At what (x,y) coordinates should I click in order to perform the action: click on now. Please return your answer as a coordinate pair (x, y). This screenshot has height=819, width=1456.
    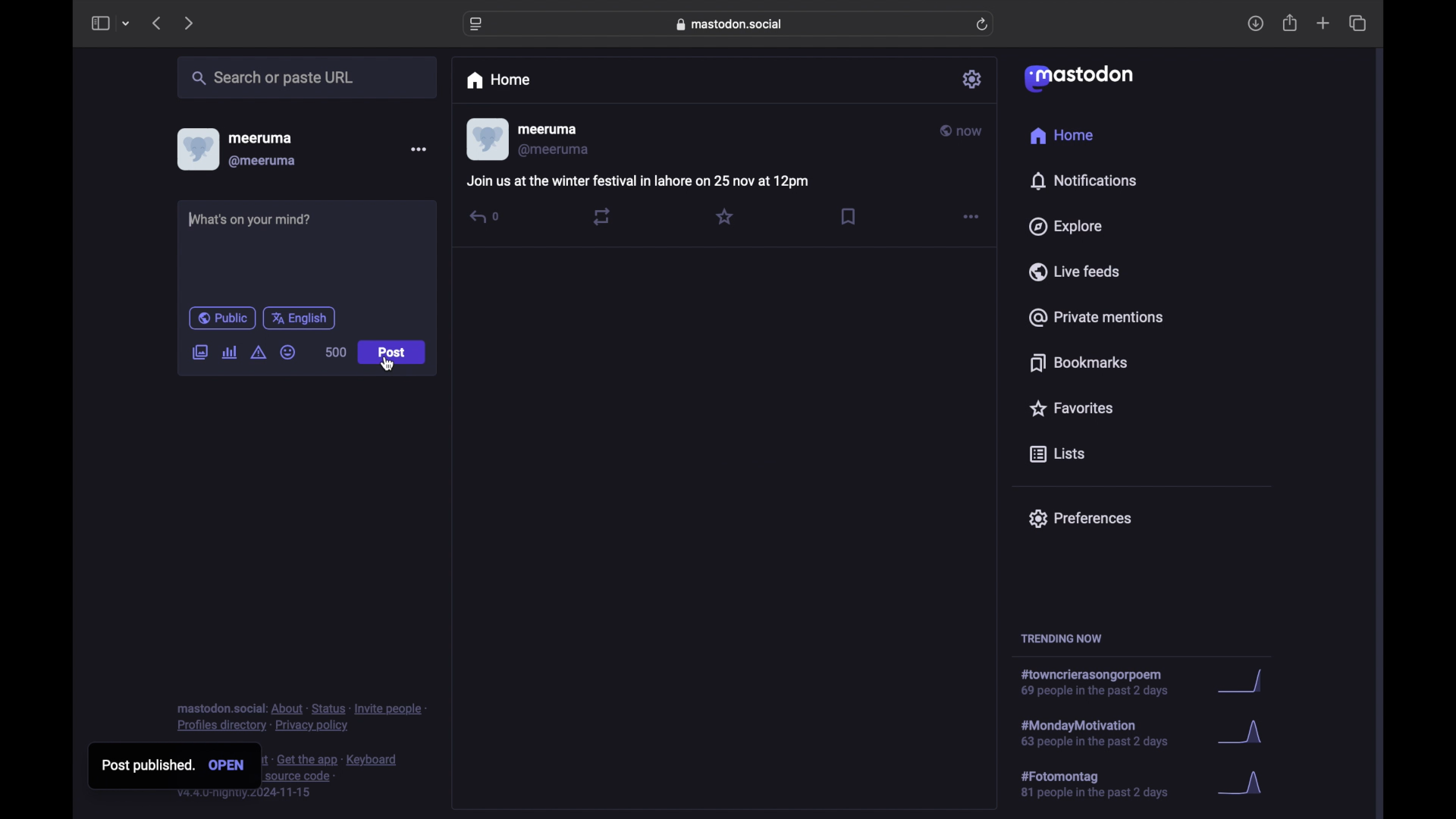
    Looking at the image, I should click on (962, 131).